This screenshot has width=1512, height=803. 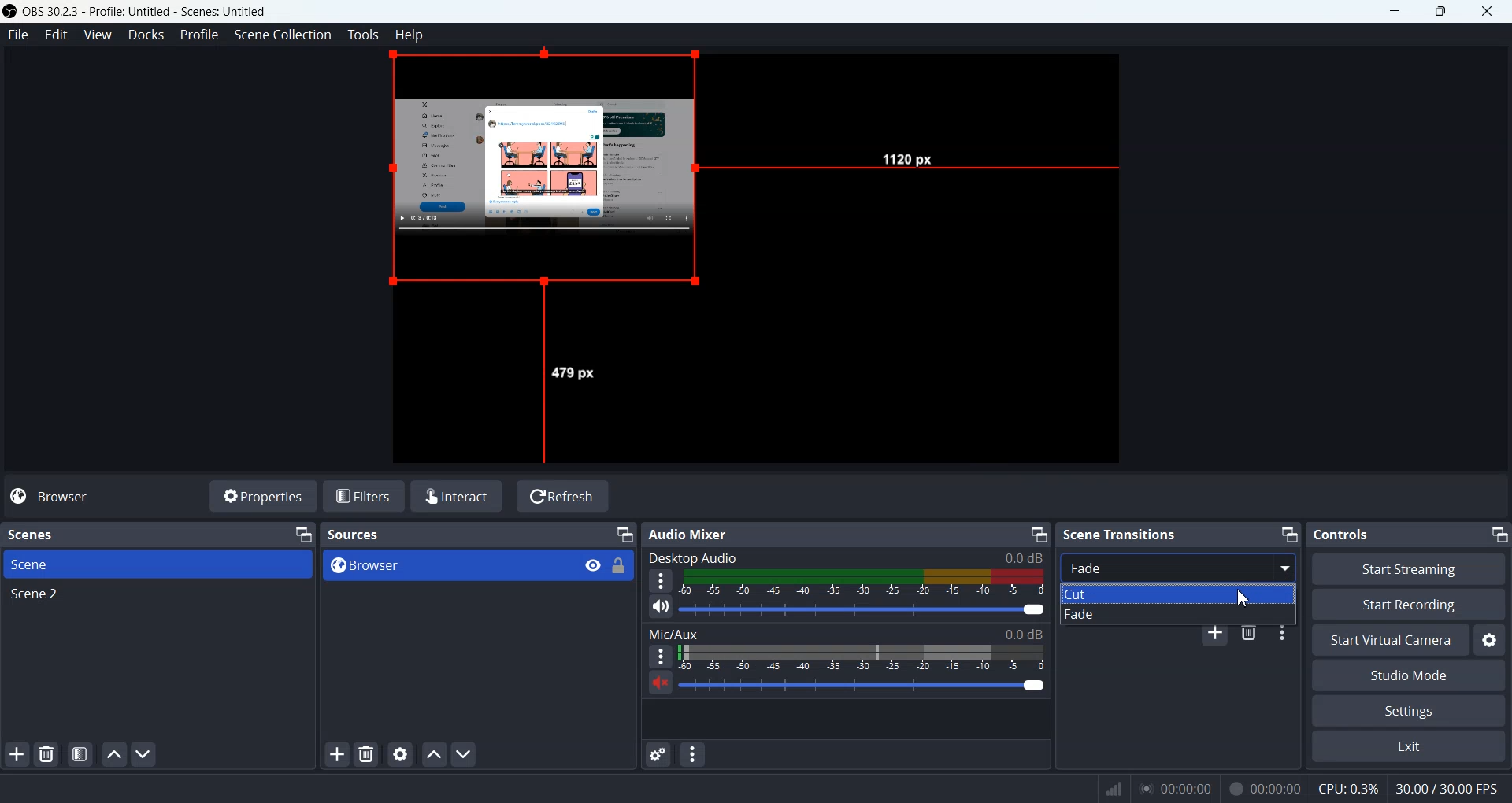 What do you see at coordinates (1348, 789) in the screenshot?
I see `` at bounding box center [1348, 789].